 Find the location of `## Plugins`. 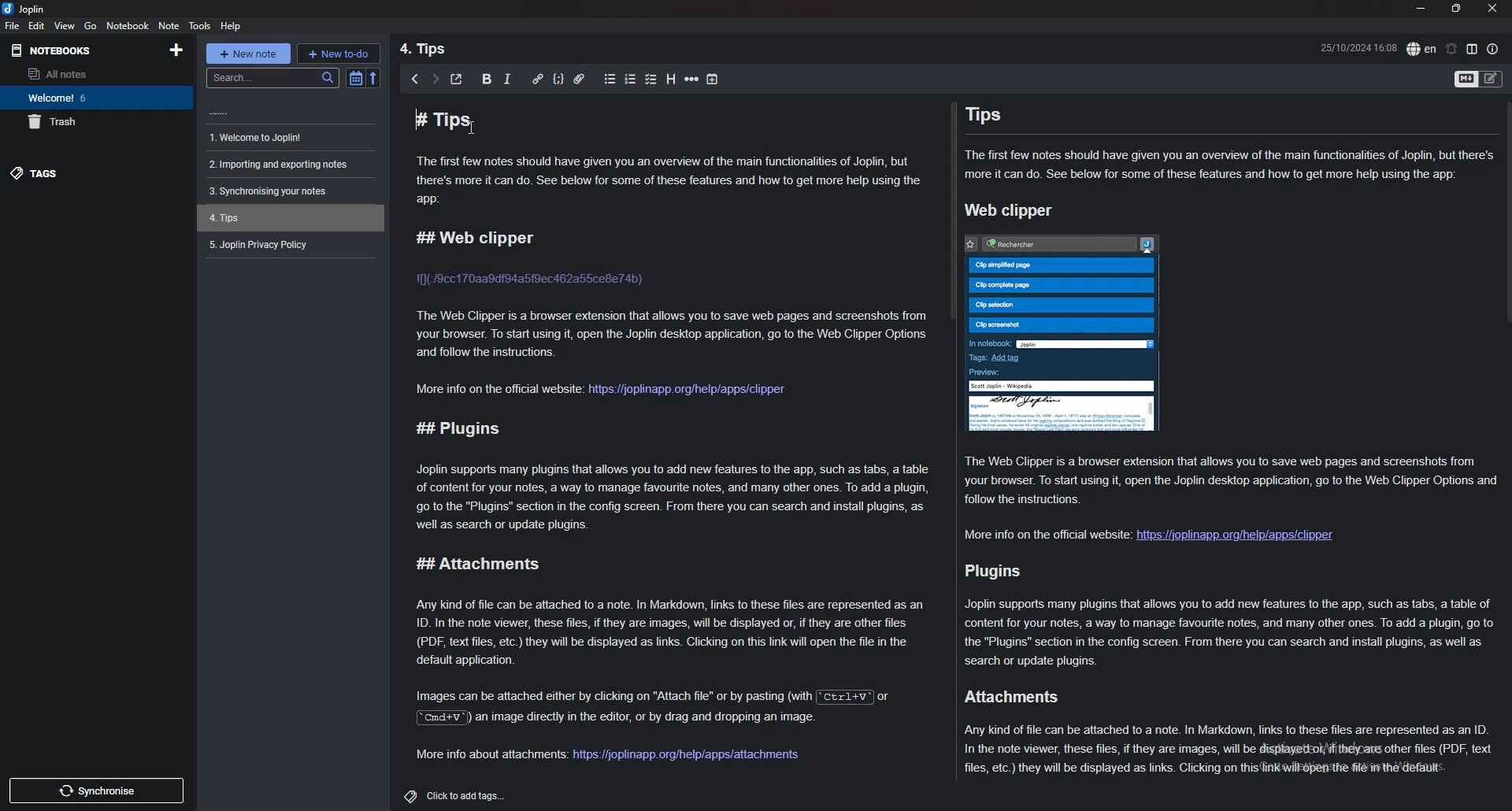

## Plugins is located at coordinates (458, 426).